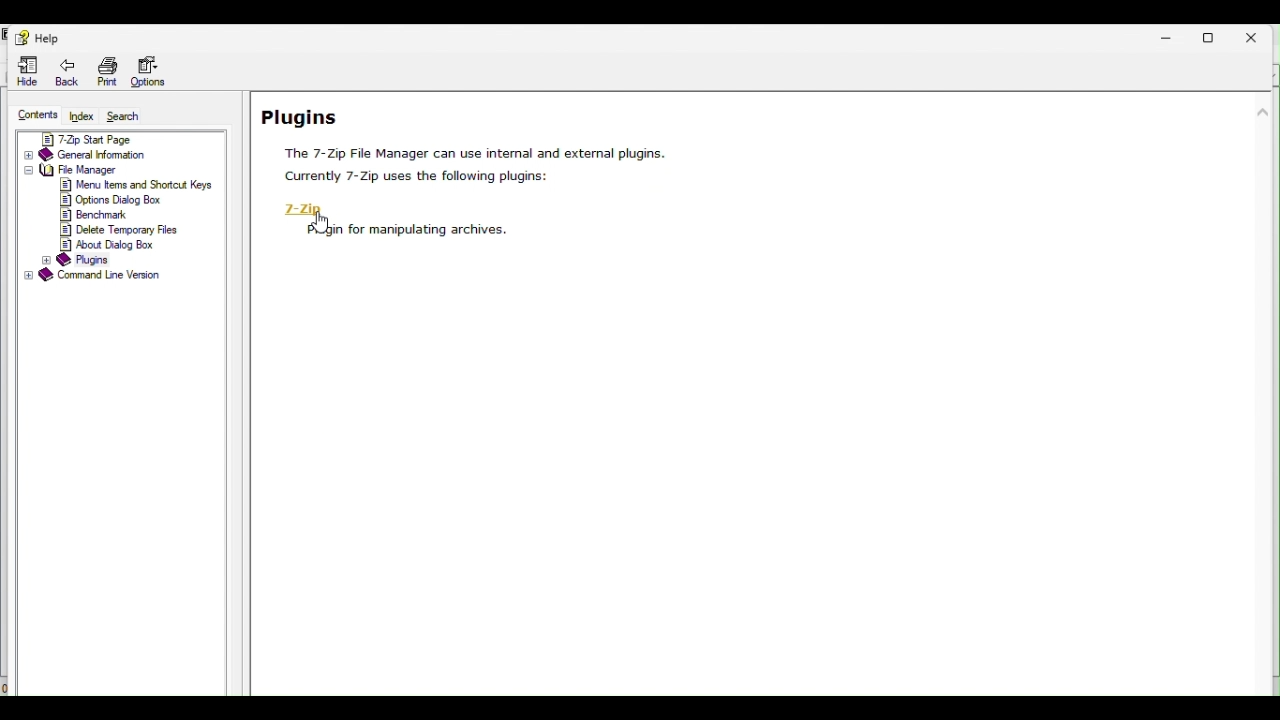  I want to click on plugins, so click(81, 260).